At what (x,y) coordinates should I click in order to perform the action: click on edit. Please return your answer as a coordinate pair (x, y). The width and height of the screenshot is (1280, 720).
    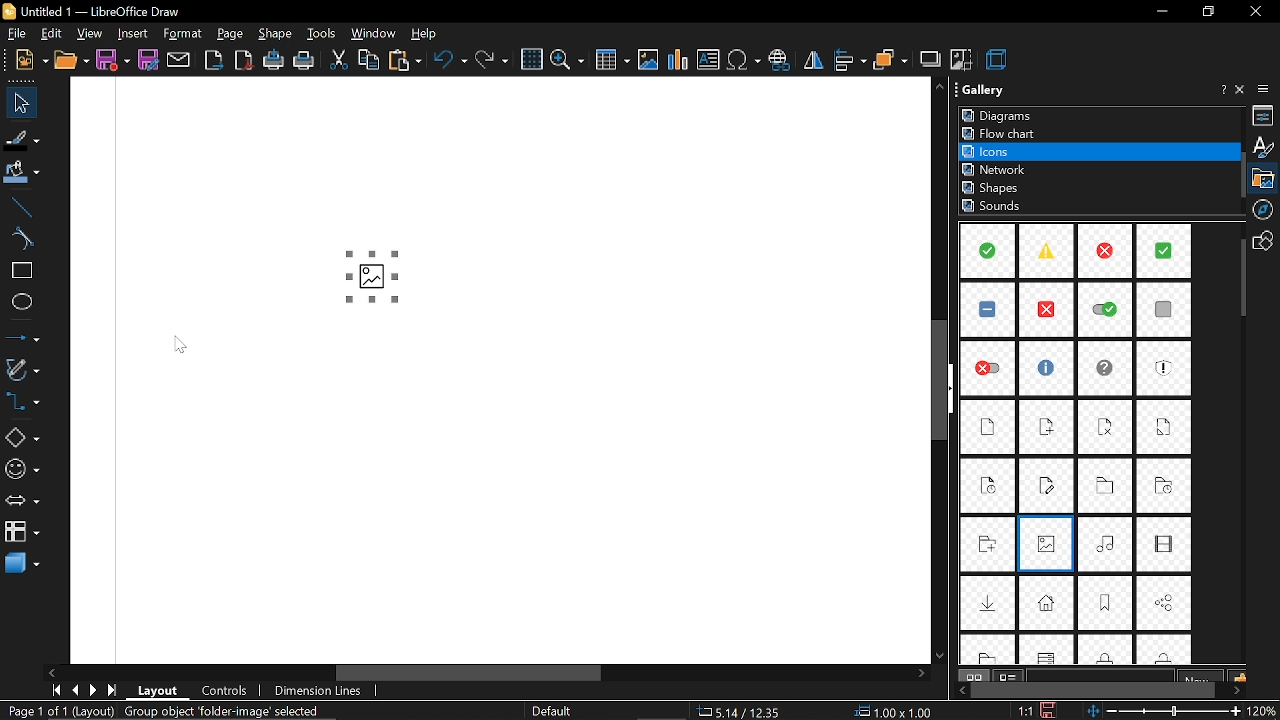
    Looking at the image, I should click on (54, 34).